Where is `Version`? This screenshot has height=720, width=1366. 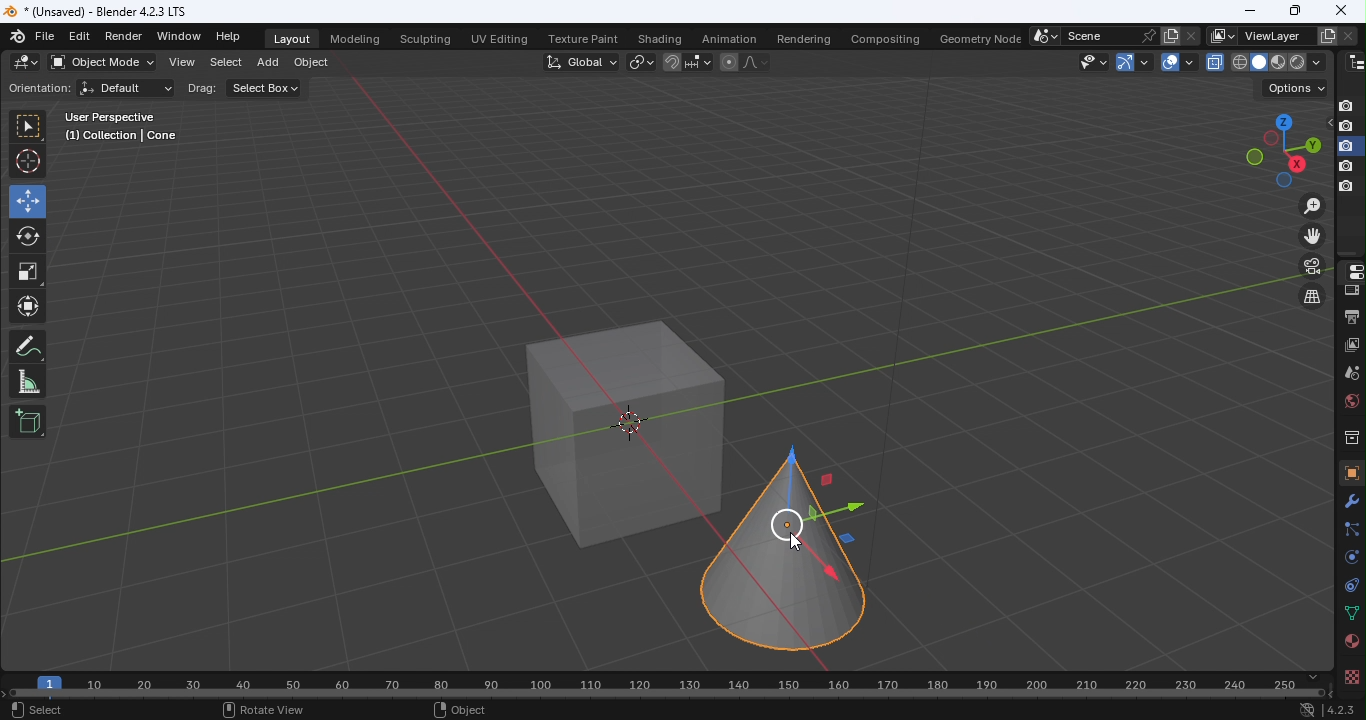 Version is located at coordinates (1342, 711).